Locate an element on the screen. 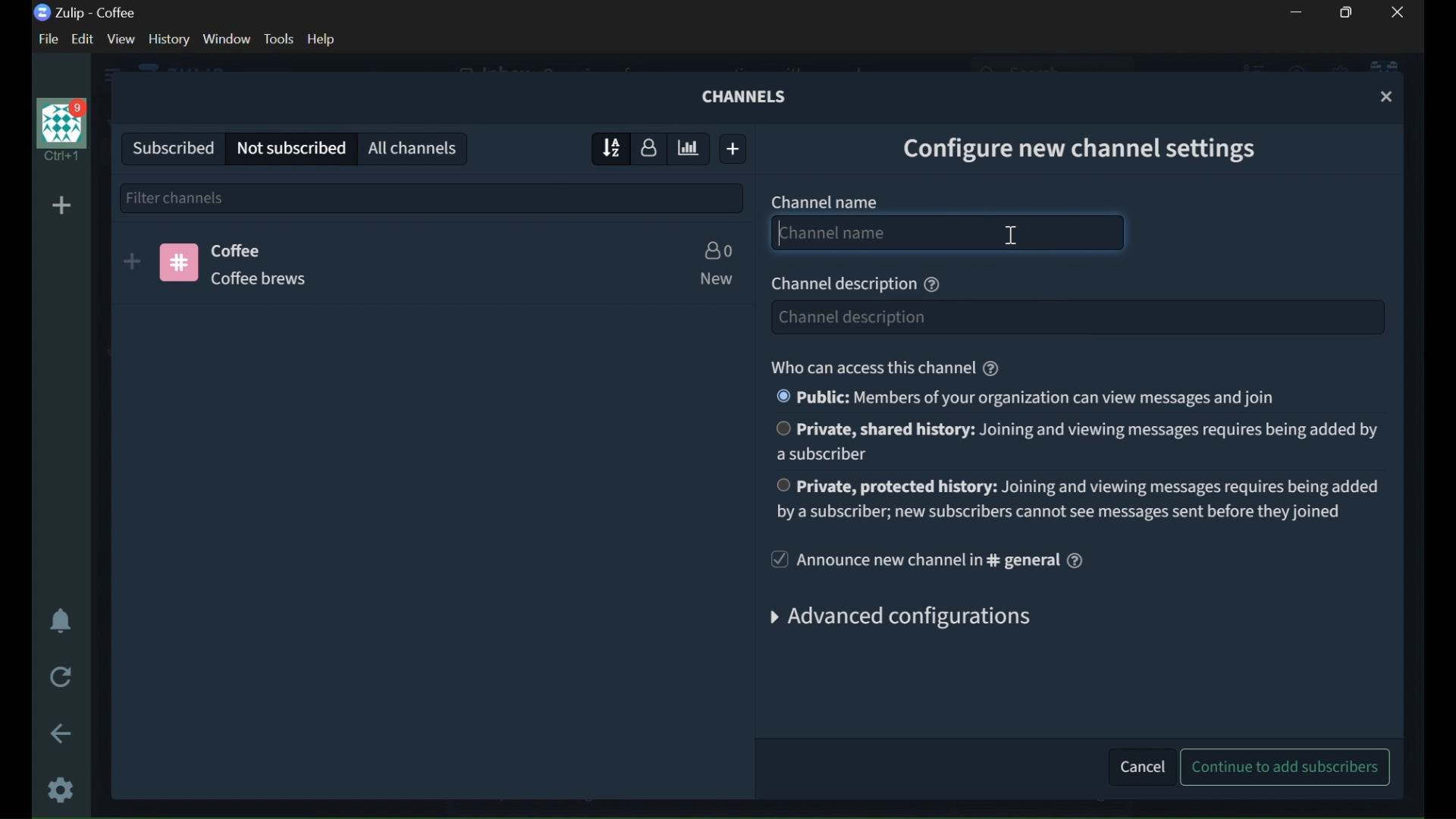 The height and width of the screenshot is (819, 1456). help is located at coordinates (1075, 560).